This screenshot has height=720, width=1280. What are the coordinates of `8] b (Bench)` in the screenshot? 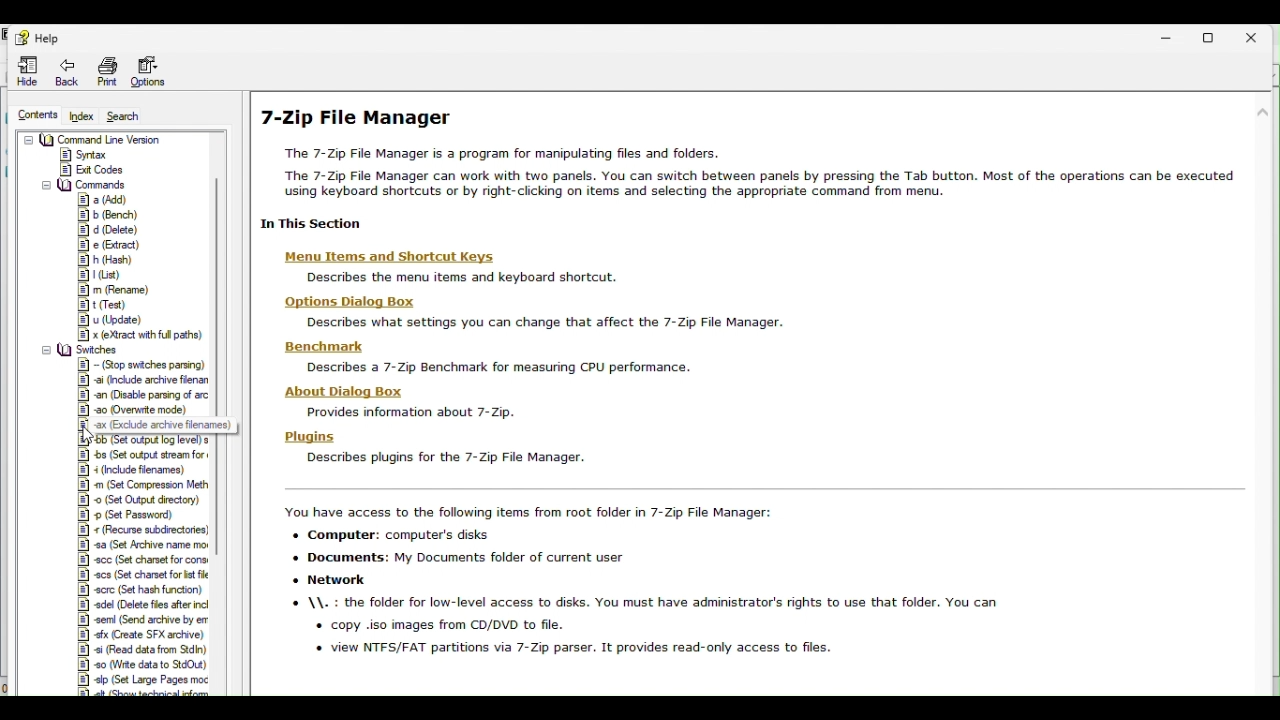 It's located at (107, 215).